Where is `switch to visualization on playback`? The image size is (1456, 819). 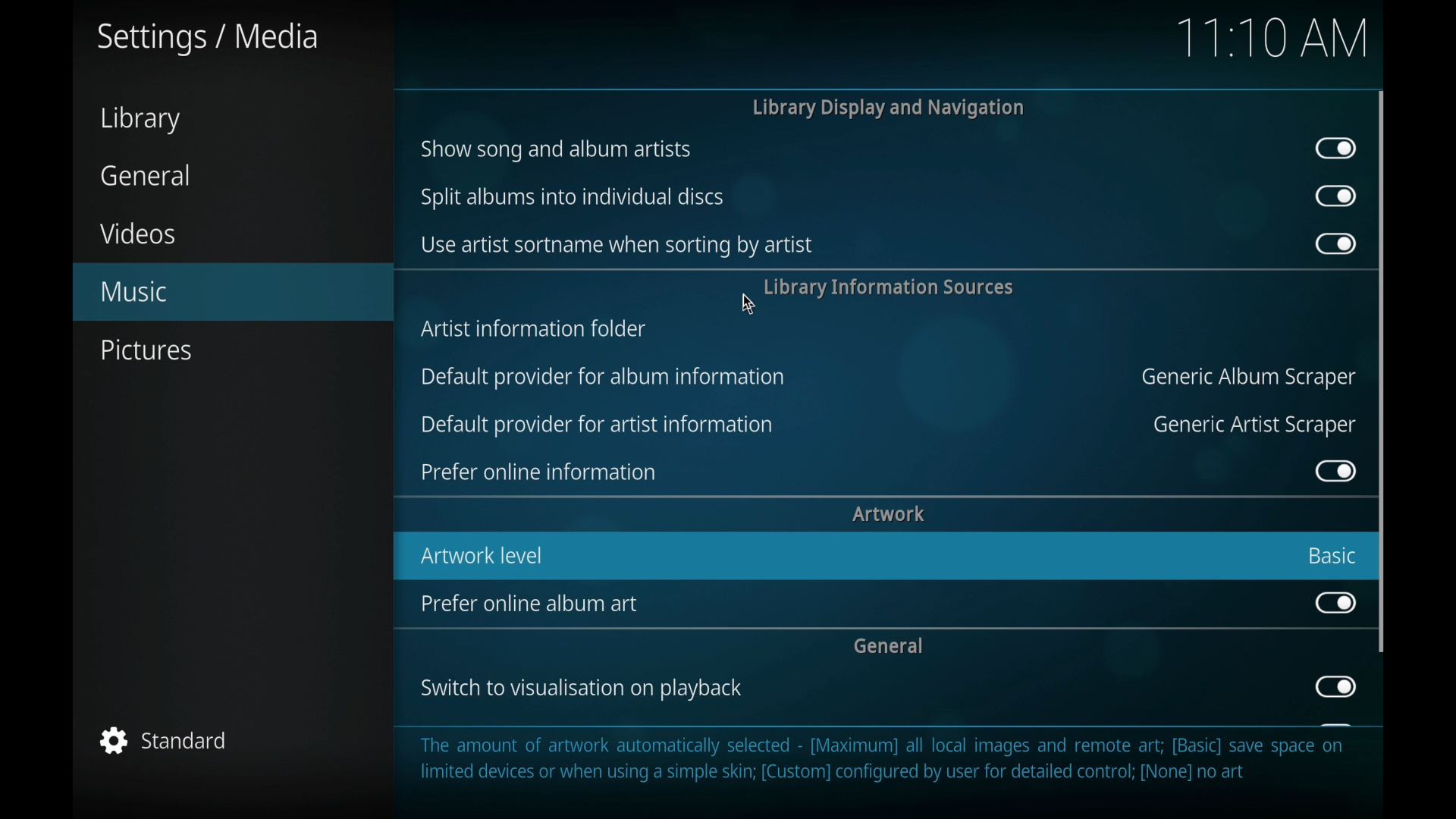
switch to visualization on playback is located at coordinates (581, 688).